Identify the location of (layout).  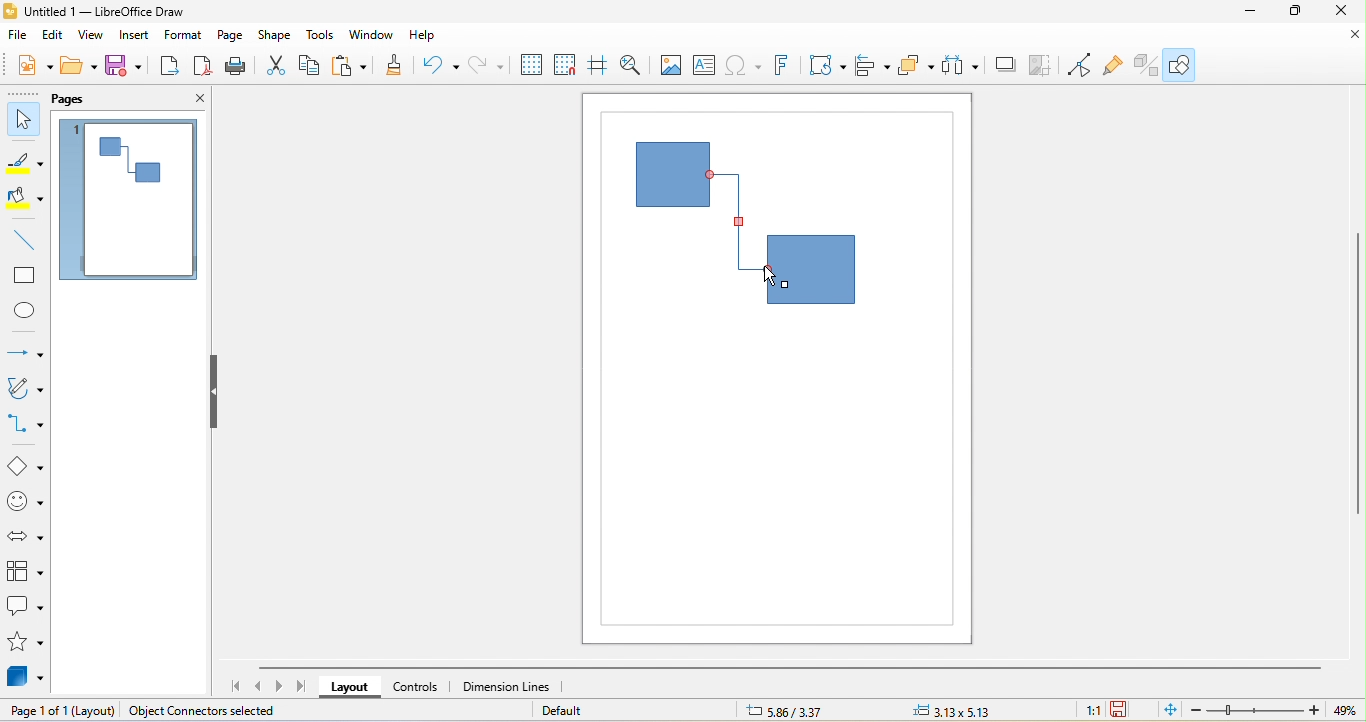
(97, 711).